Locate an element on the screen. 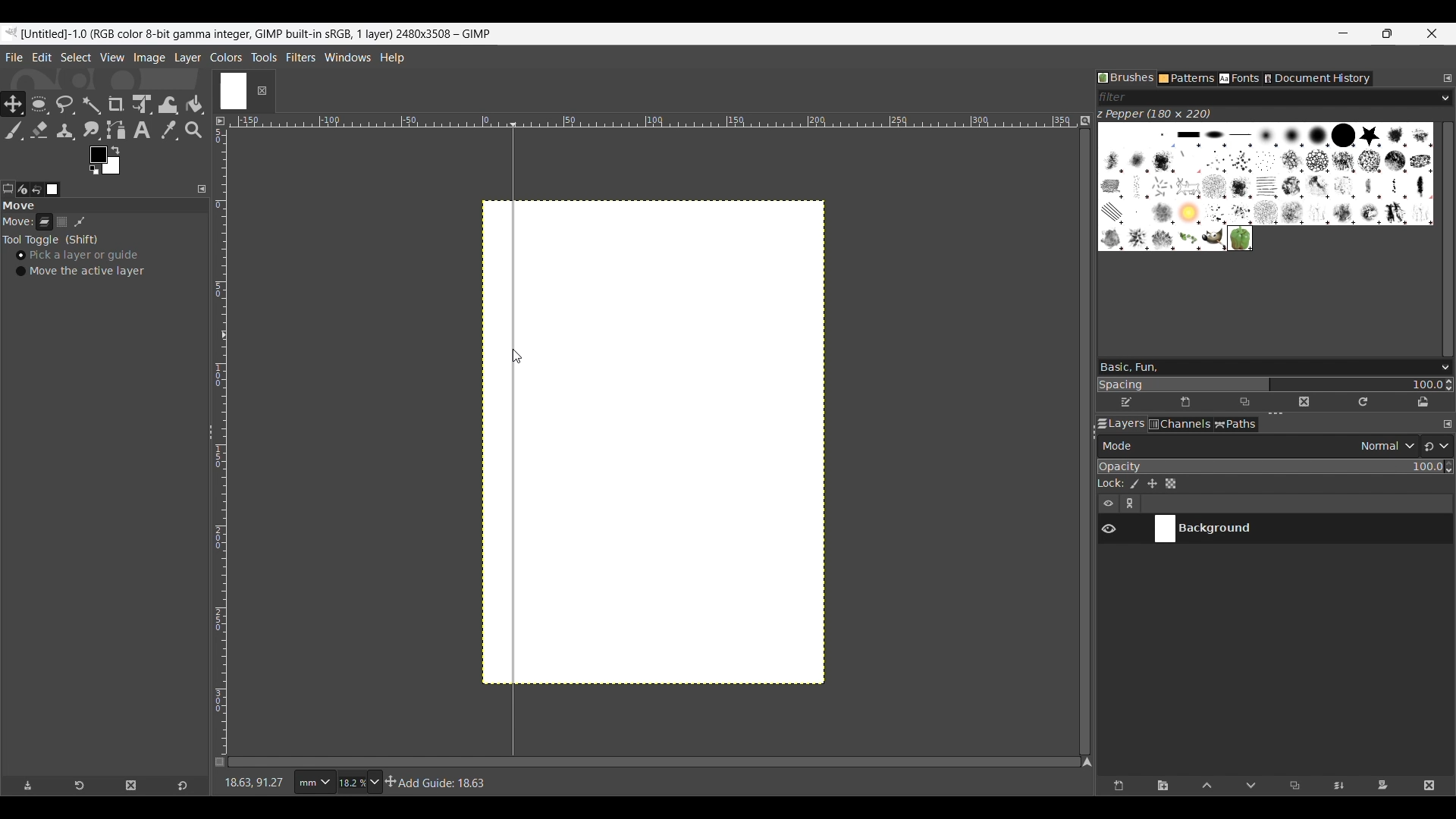  Canvas space is located at coordinates (760, 441).